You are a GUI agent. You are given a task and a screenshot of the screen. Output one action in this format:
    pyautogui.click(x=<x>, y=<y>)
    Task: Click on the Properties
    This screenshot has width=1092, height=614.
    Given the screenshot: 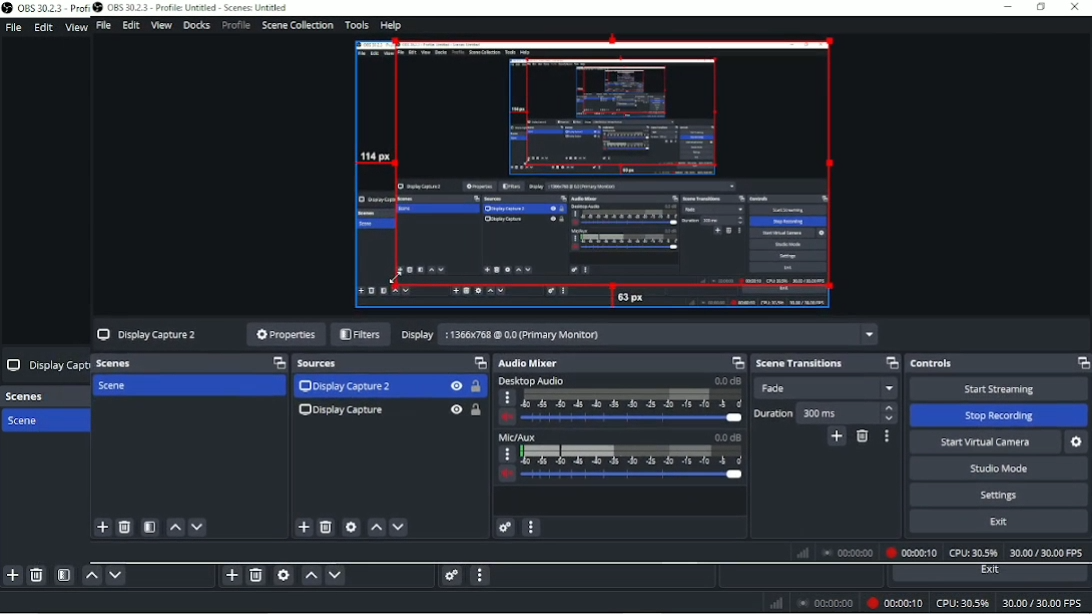 What is the action you would take?
    pyautogui.click(x=285, y=332)
    